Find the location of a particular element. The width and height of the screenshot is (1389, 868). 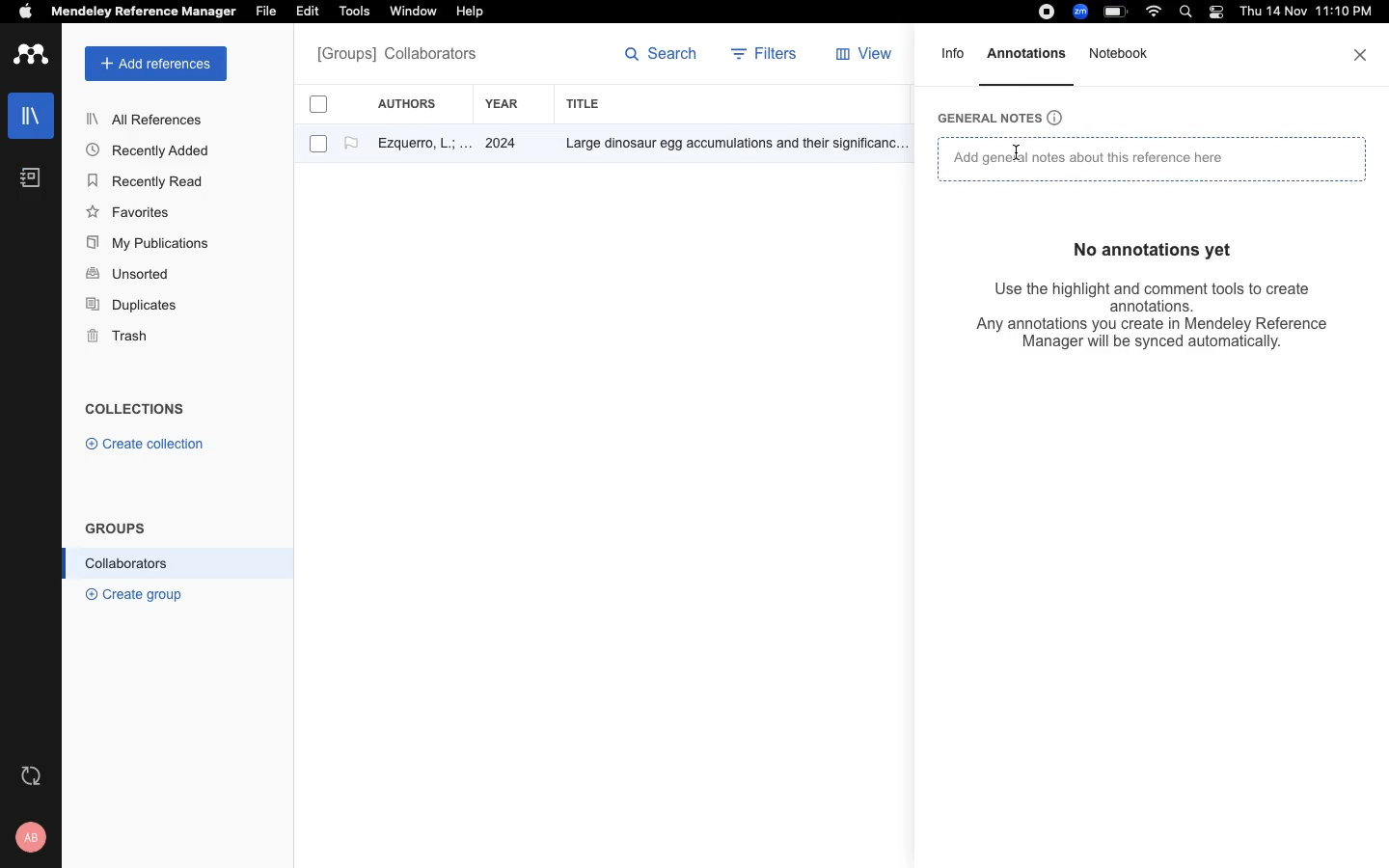

date and time is located at coordinates (1302, 14).